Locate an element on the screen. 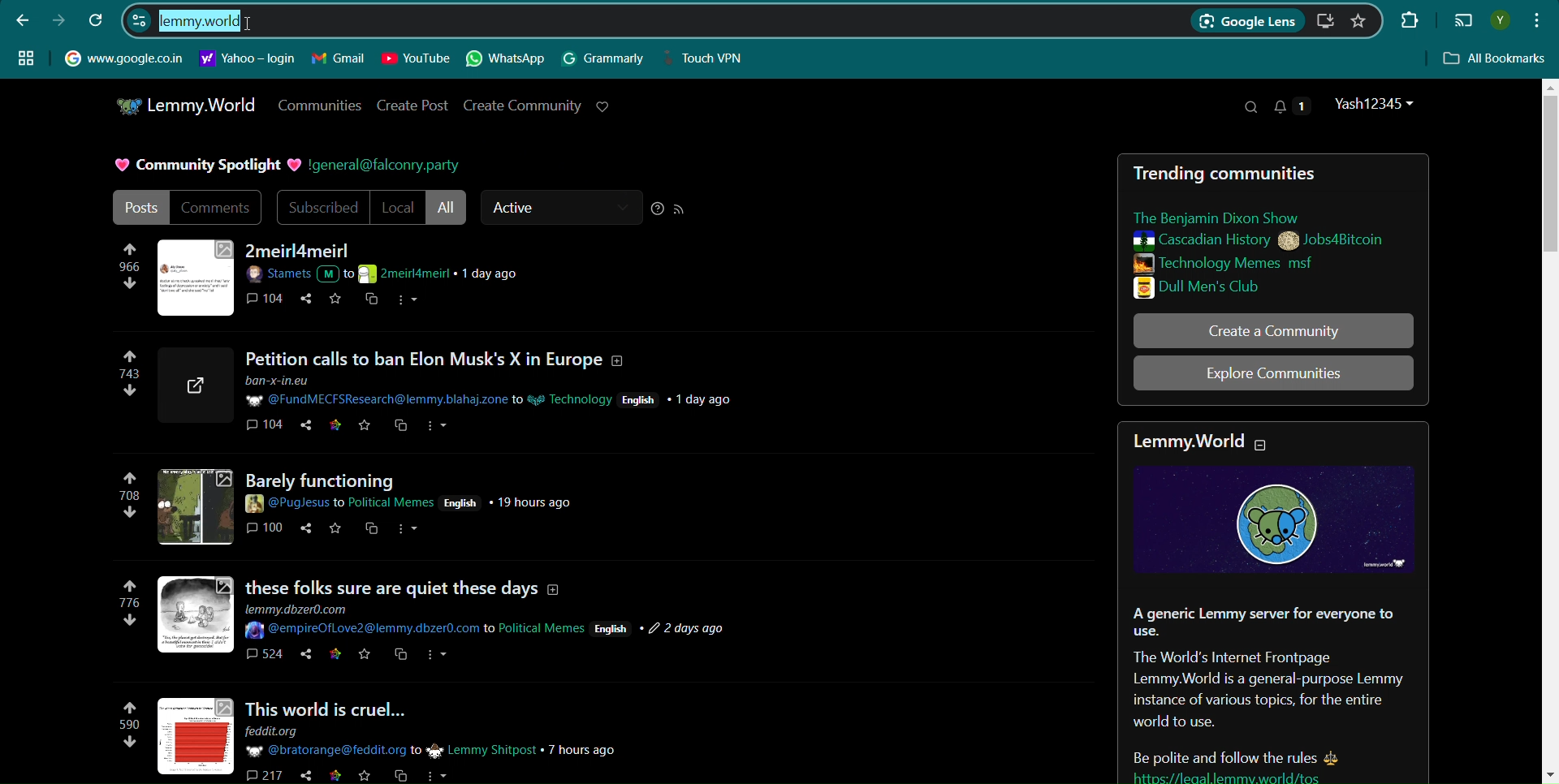 This screenshot has width=1559, height=784. Install Lemmy.world is located at coordinates (1328, 21).